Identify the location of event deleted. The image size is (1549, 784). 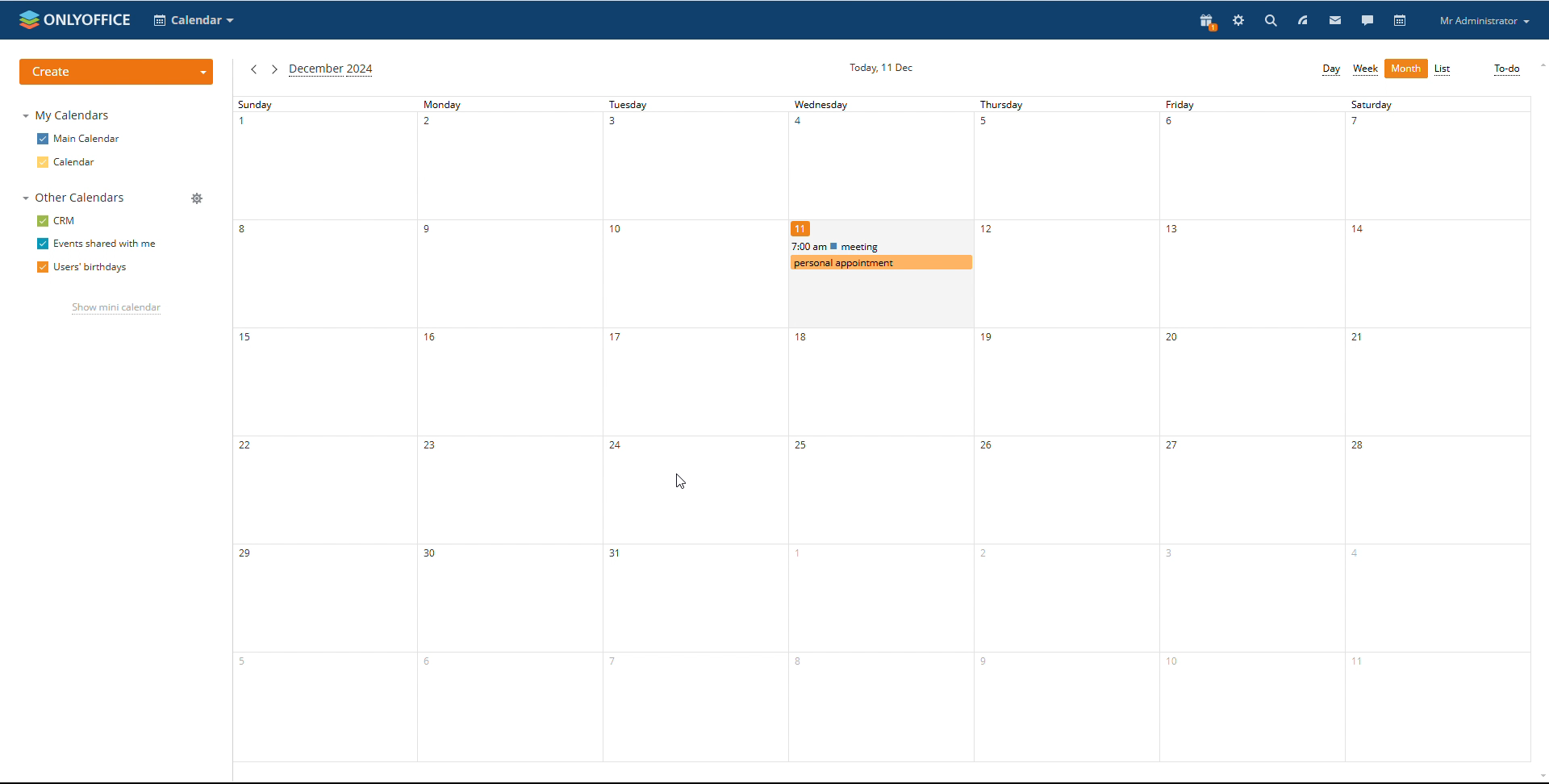
(696, 494).